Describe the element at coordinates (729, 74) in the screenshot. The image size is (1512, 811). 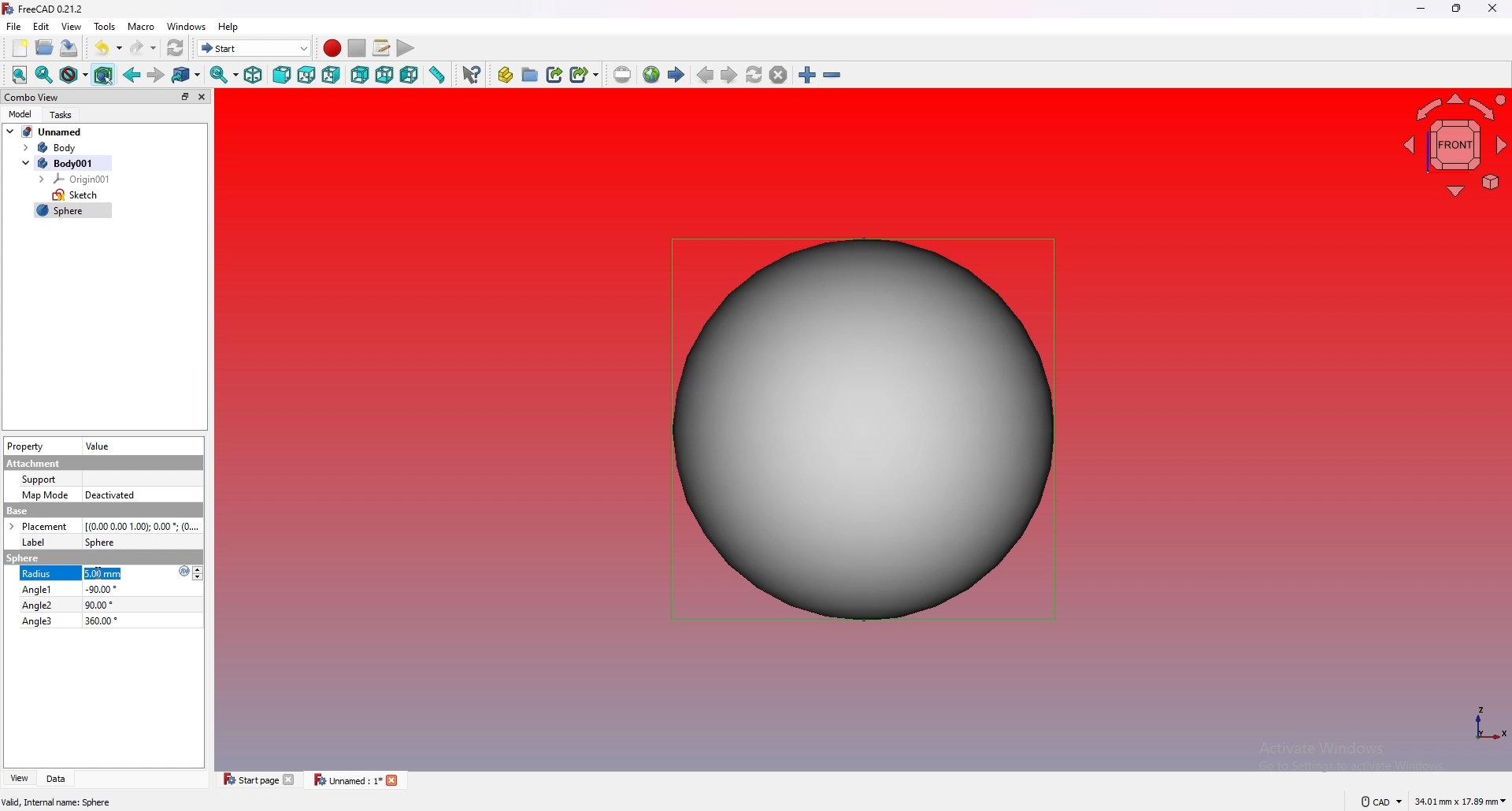
I see `next page` at that location.